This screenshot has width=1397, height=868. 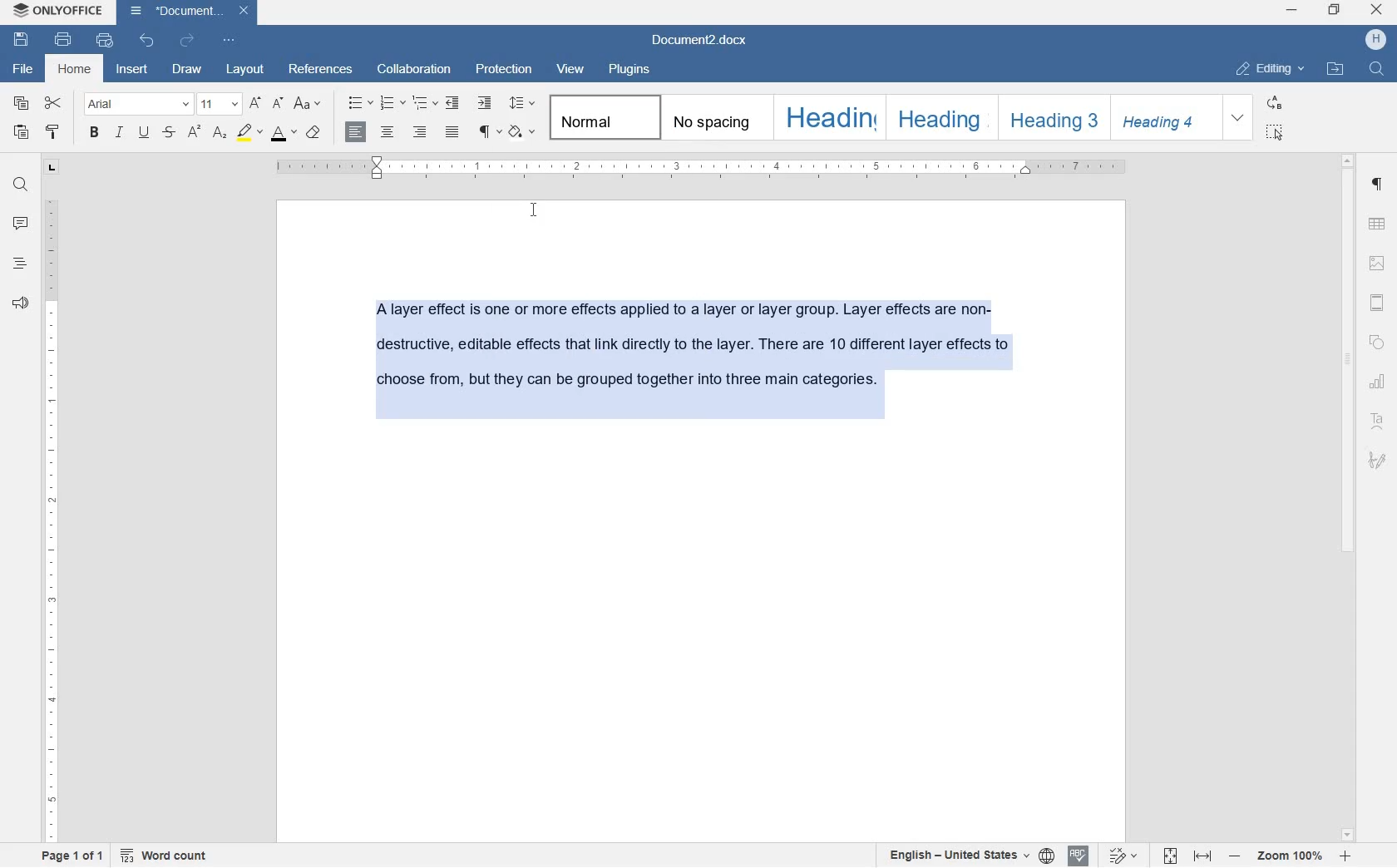 What do you see at coordinates (187, 70) in the screenshot?
I see `draw` at bounding box center [187, 70].